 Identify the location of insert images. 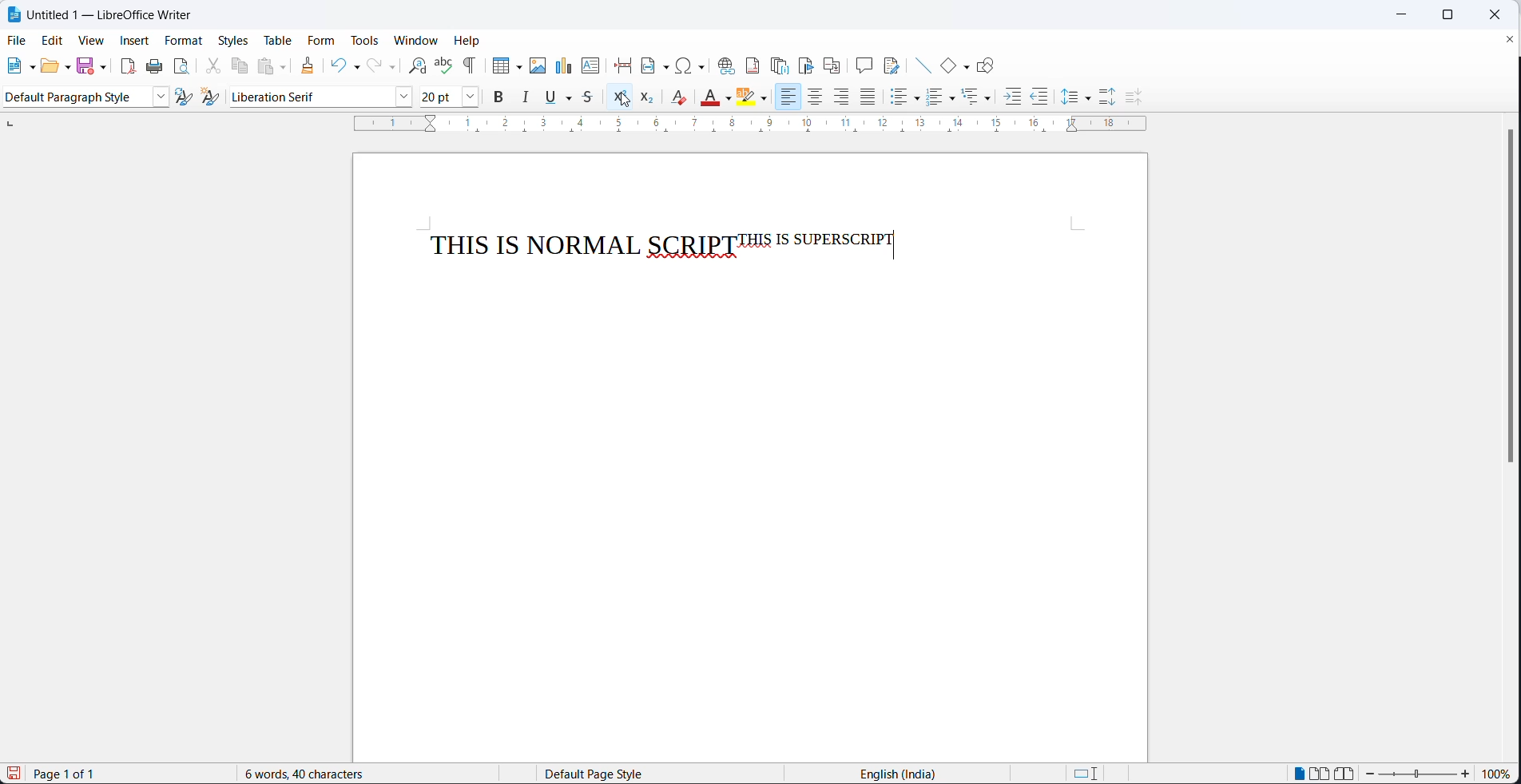
(538, 65).